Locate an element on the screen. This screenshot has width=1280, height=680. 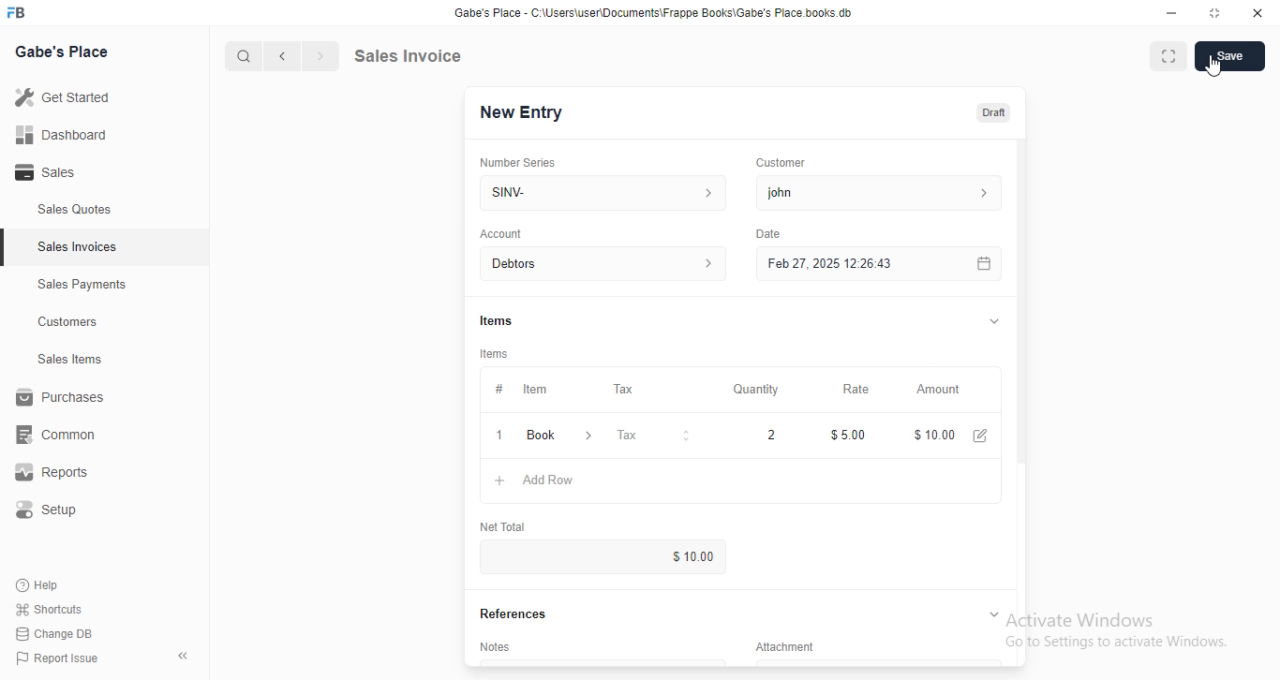
Next is located at coordinates (319, 54).